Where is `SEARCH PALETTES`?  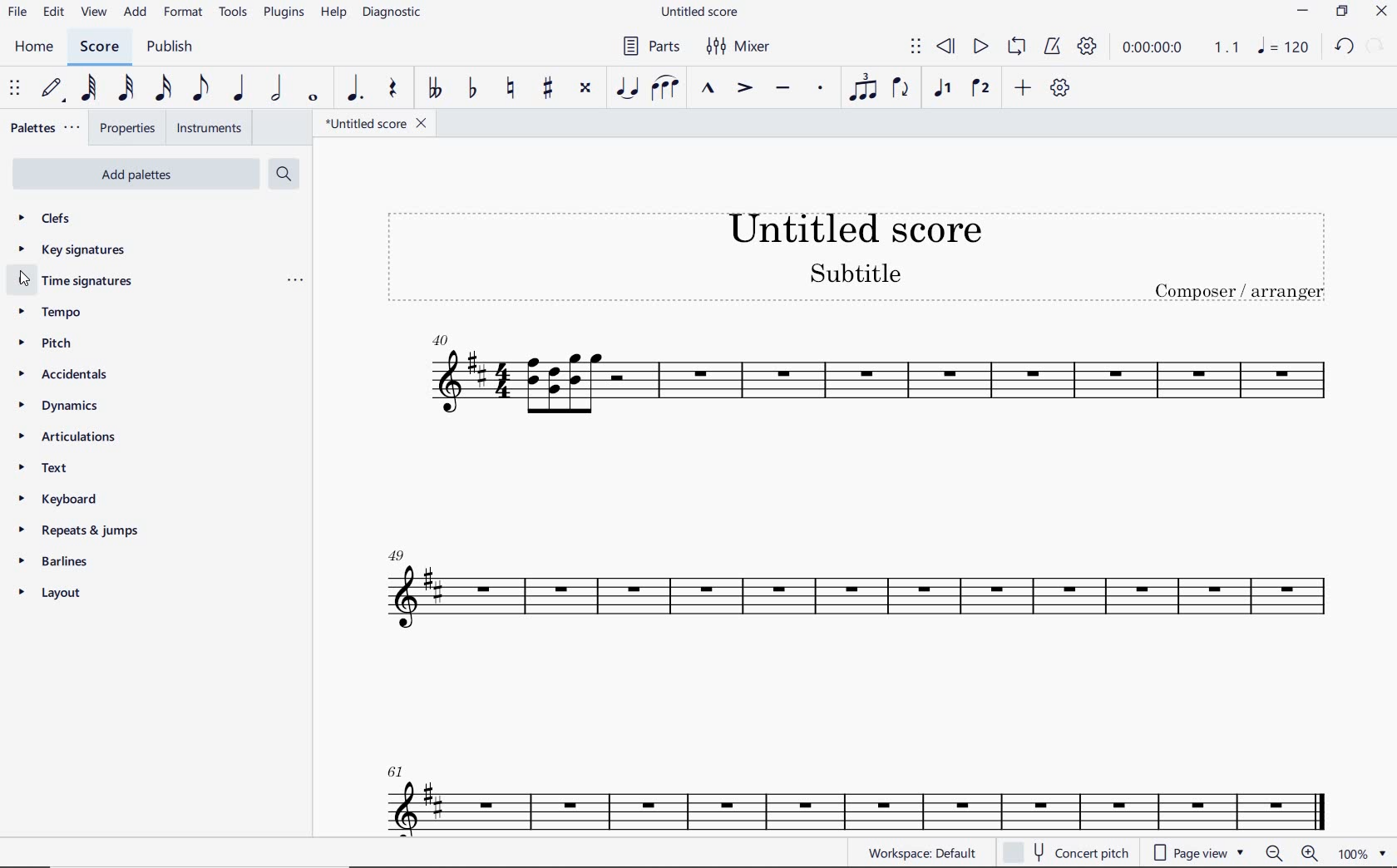 SEARCH PALETTES is located at coordinates (282, 173).